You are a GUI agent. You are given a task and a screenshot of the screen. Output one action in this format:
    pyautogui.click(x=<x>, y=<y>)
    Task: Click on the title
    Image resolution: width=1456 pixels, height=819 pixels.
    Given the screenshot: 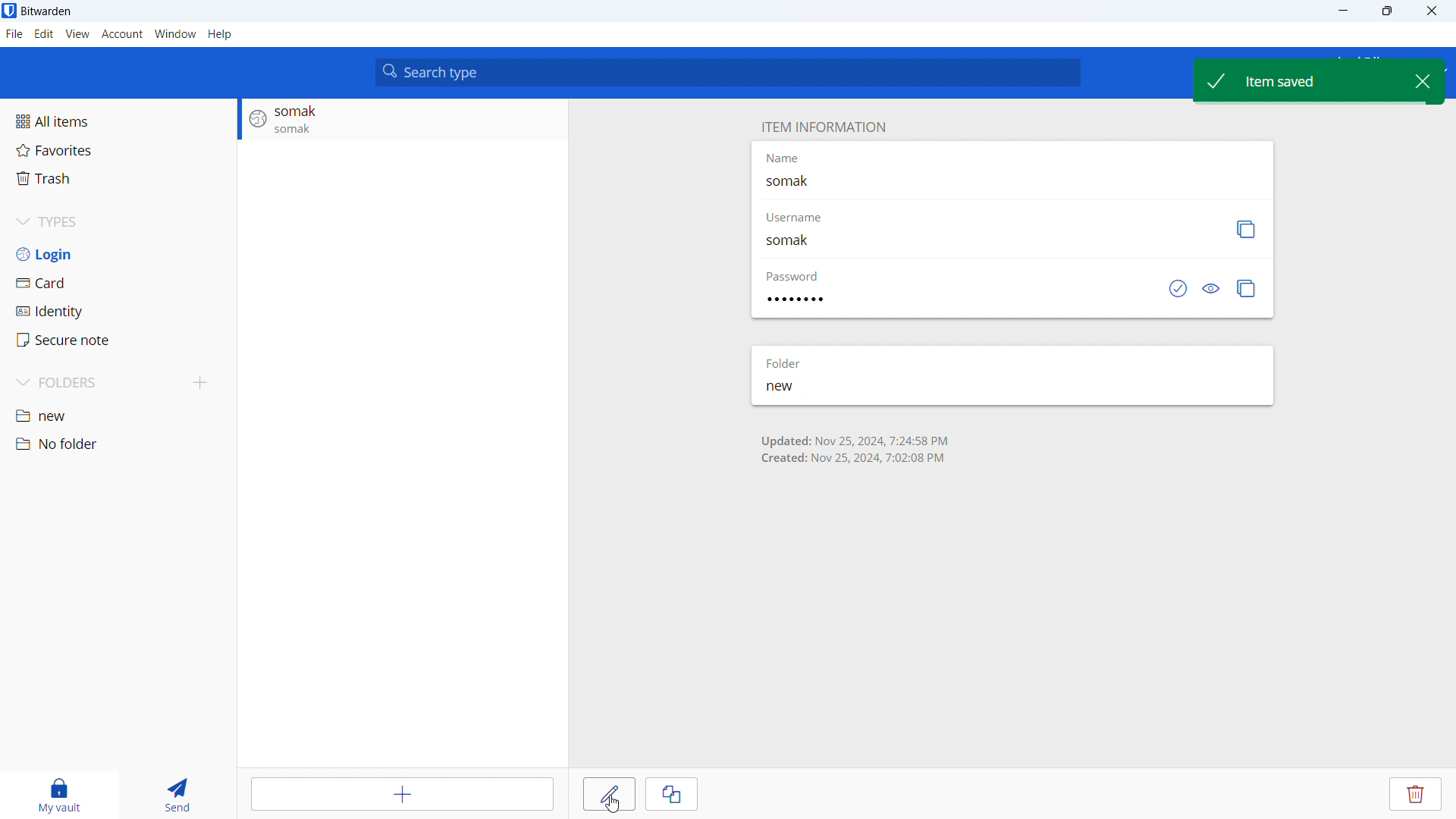 What is the action you would take?
    pyautogui.click(x=46, y=11)
    